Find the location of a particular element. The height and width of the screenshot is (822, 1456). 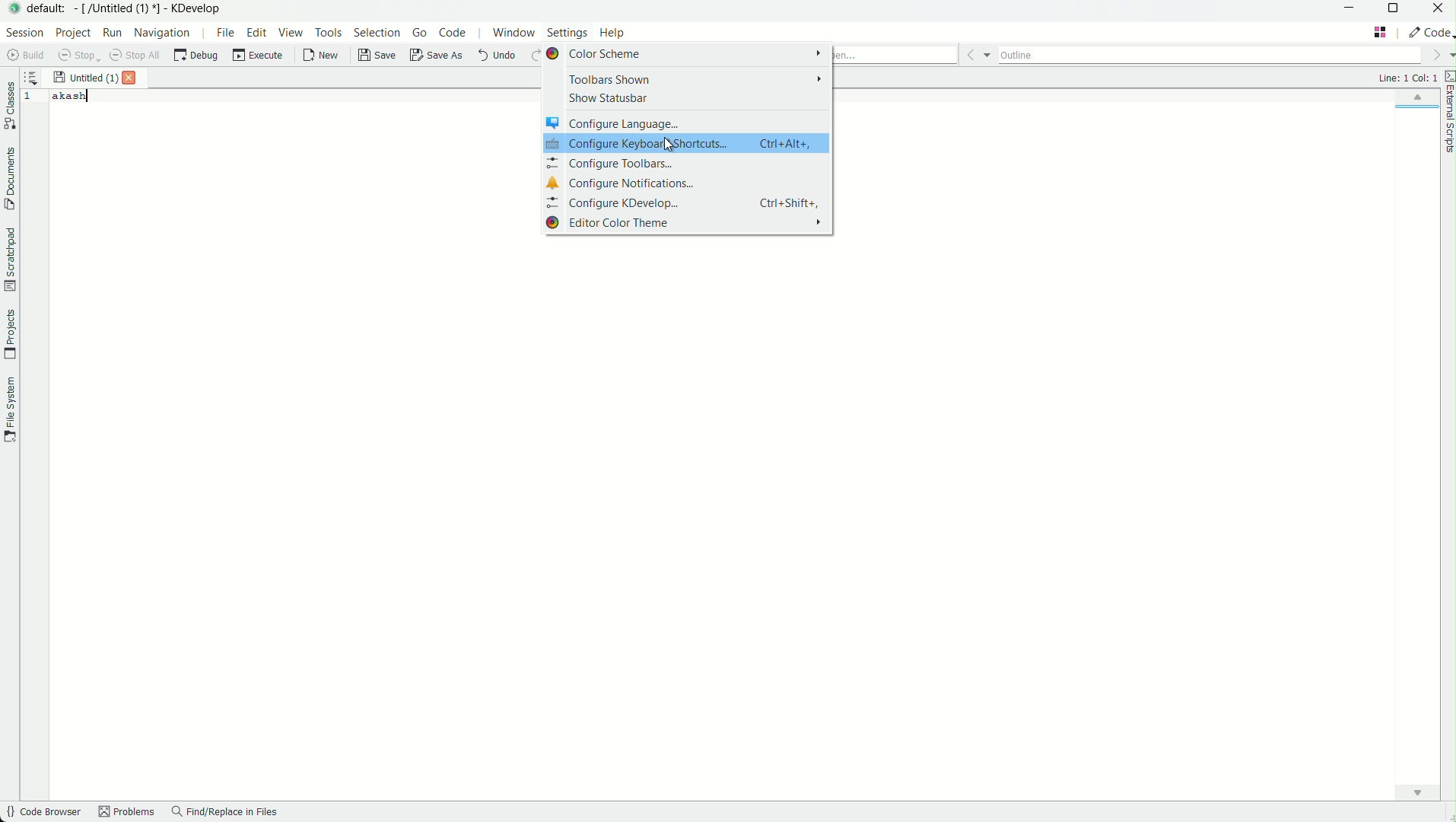

problems is located at coordinates (127, 813).